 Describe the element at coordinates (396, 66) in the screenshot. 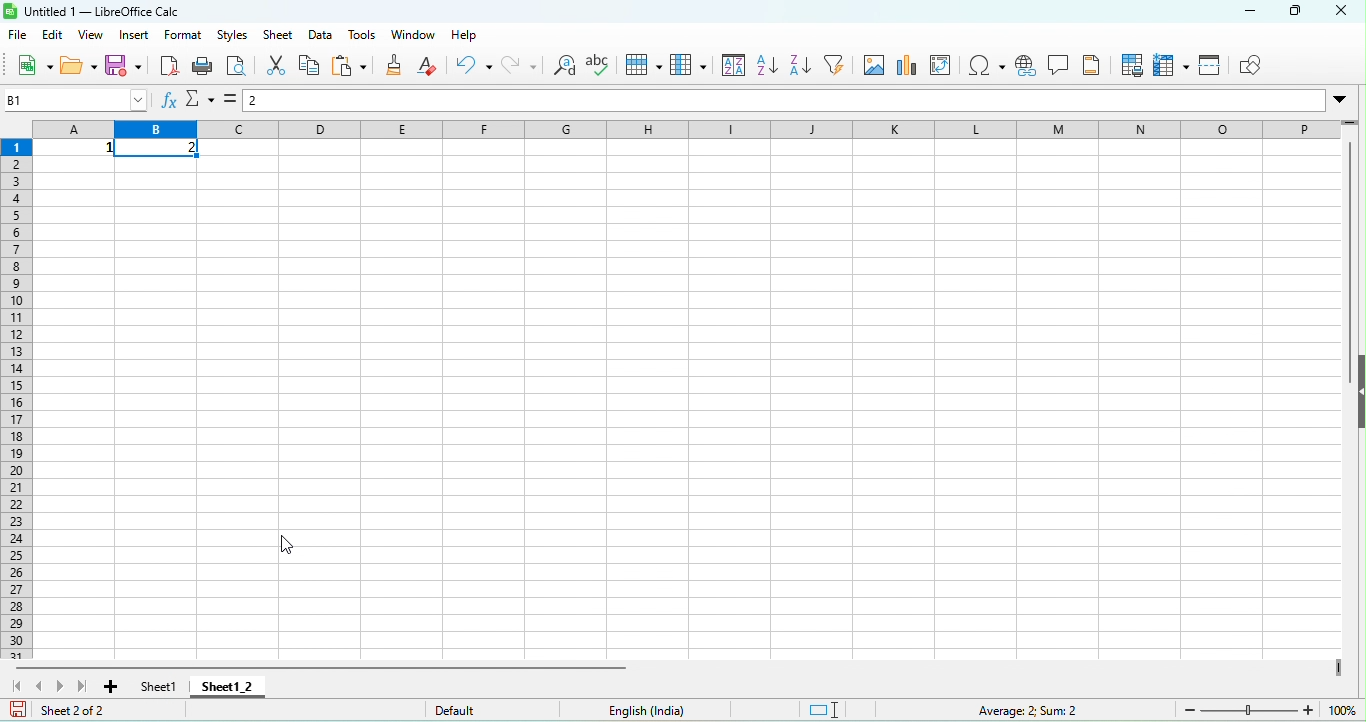

I see `clone formatting` at that location.